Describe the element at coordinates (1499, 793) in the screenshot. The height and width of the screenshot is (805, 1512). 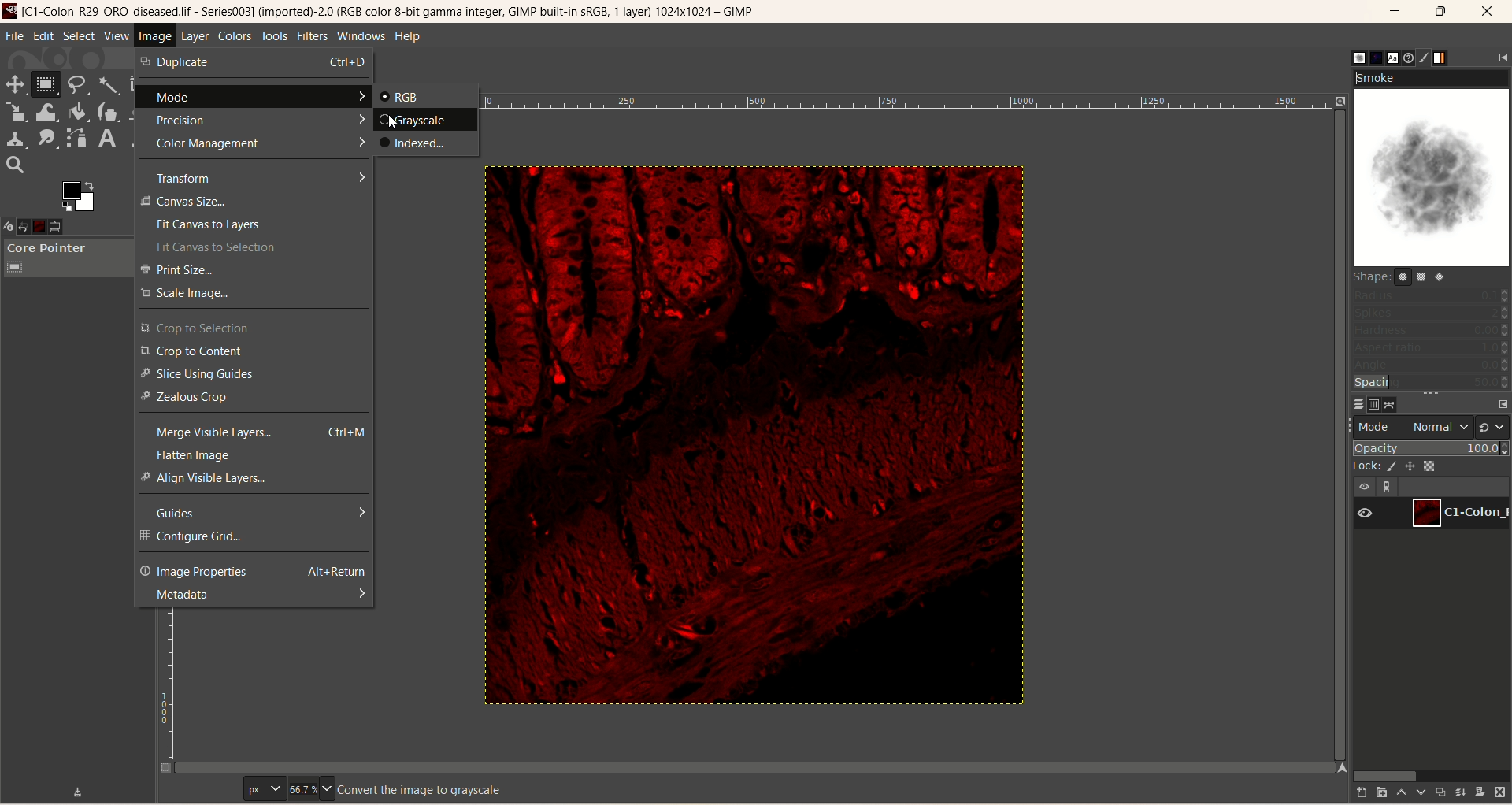
I see `delete this layer` at that location.